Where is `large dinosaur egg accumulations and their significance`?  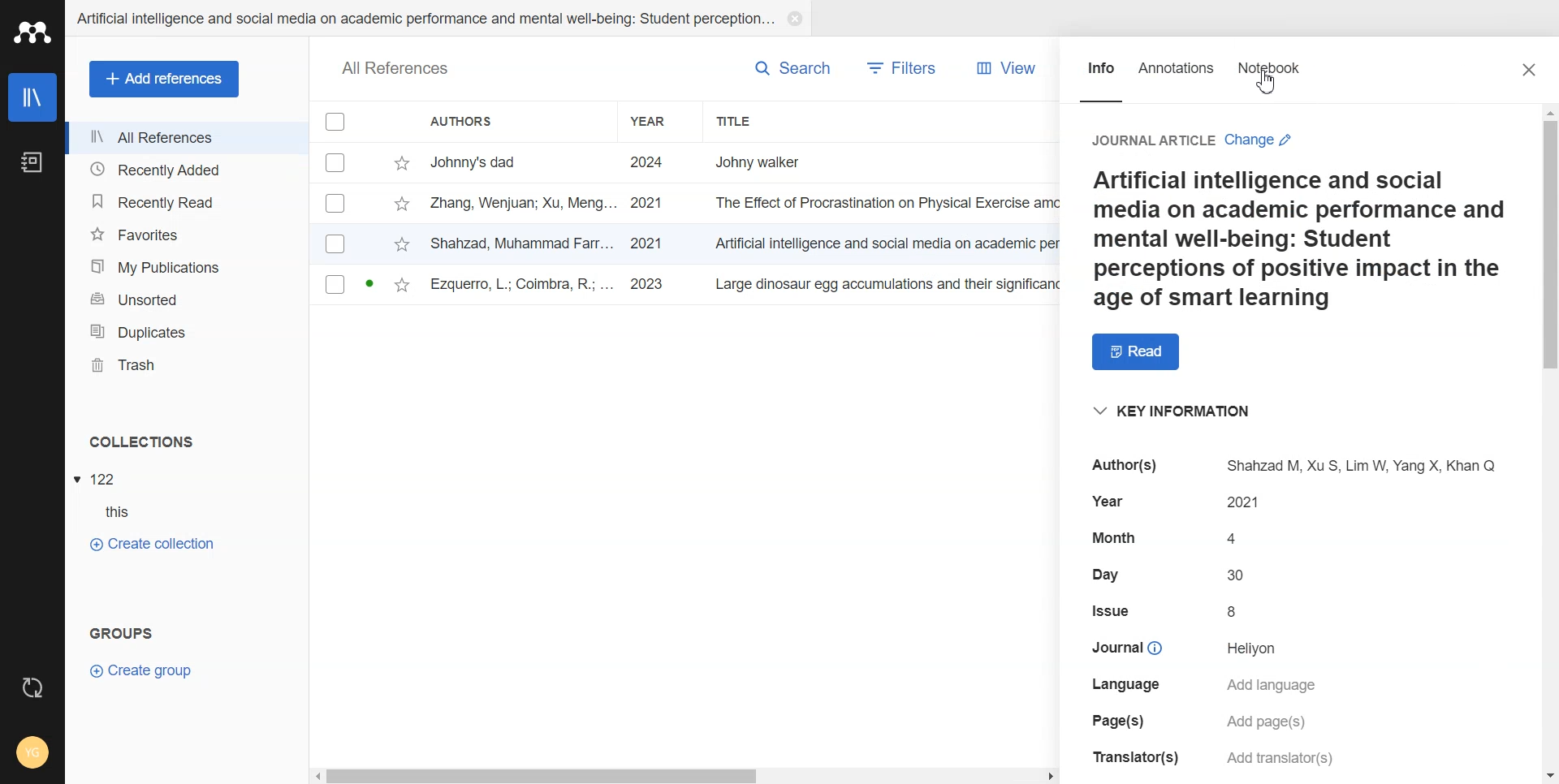
large dinosaur egg accumulations and their significance is located at coordinates (892, 287).